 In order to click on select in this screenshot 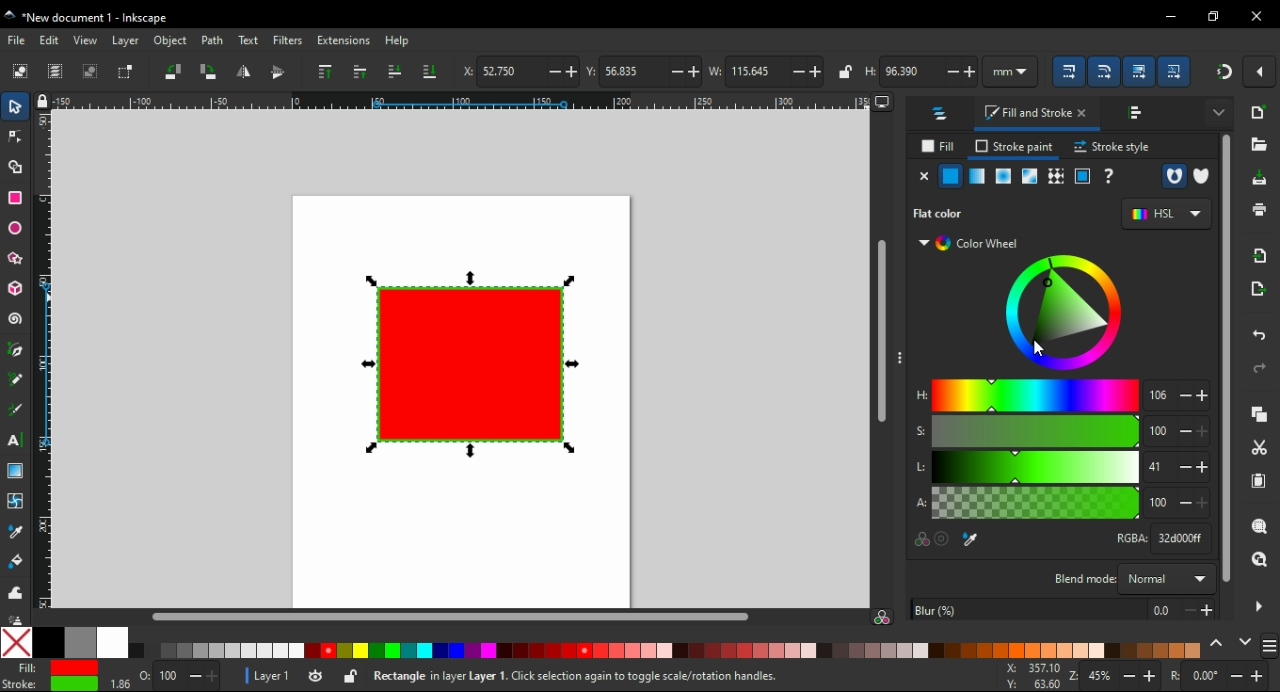, I will do `click(15, 106)`.